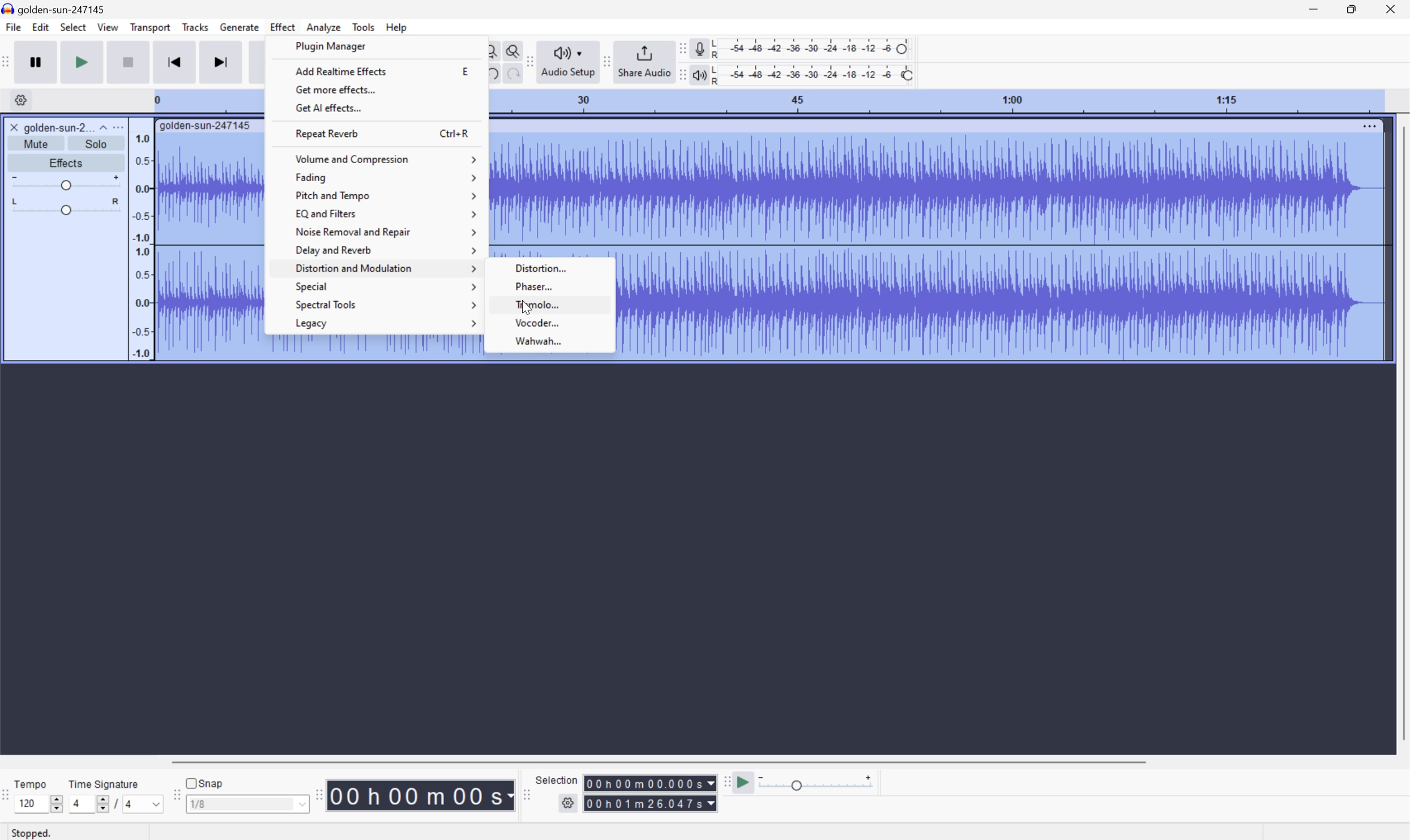  Describe the element at coordinates (700, 74) in the screenshot. I see `Playback meter` at that location.